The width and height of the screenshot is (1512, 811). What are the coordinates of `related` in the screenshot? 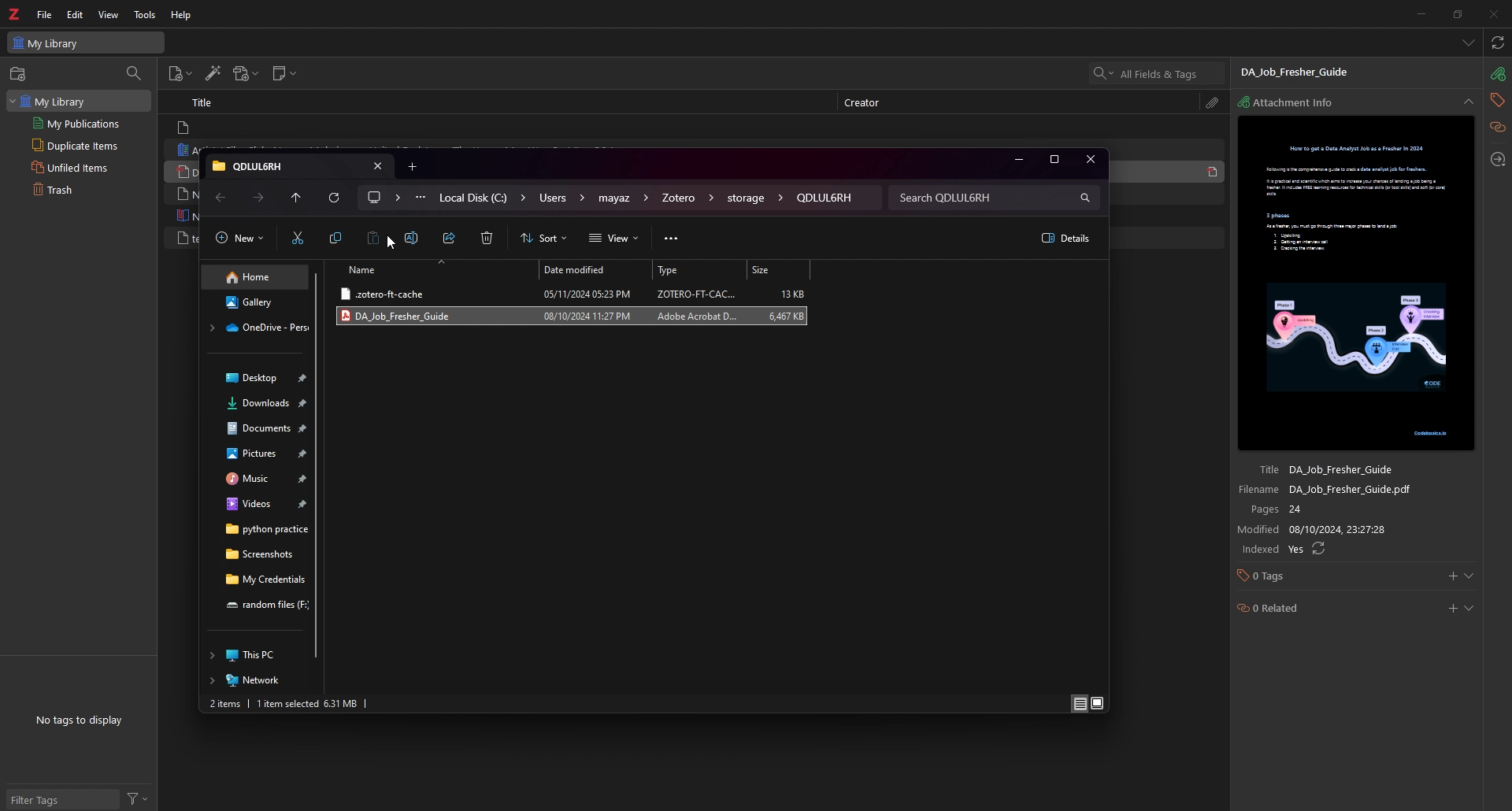 It's located at (1314, 609).